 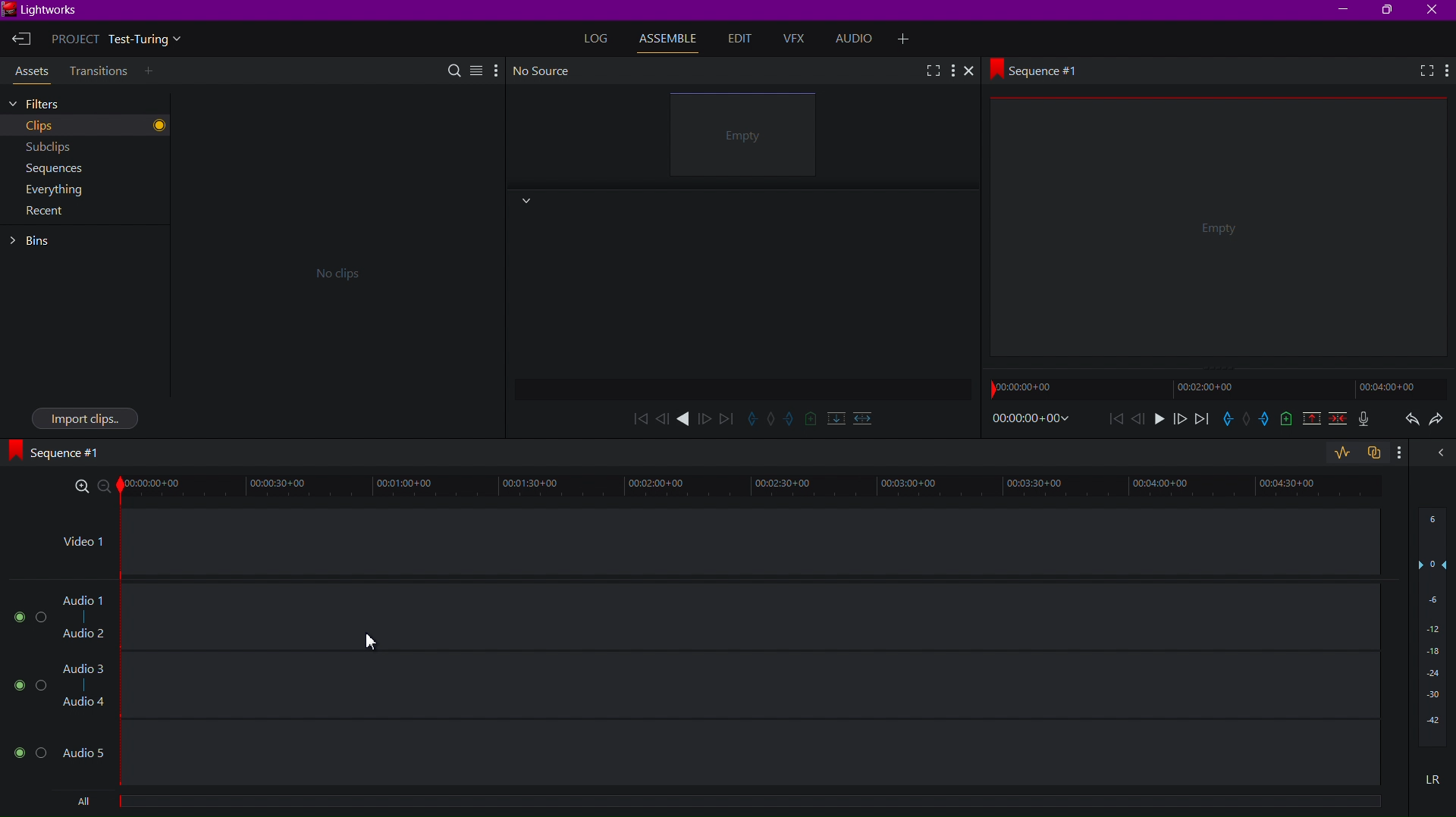 What do you see at coordinates (954, 70) in the screenshot?
I see `More` at bounding box center [954, 70].